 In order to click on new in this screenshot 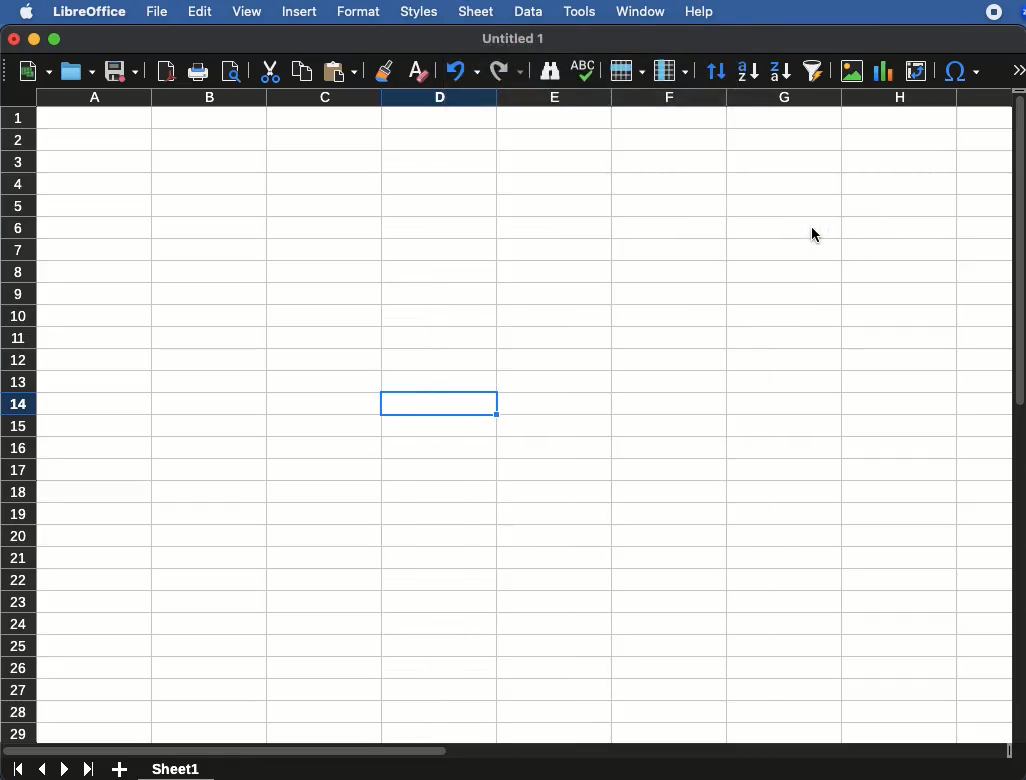, I will do `click(29, 73)`.